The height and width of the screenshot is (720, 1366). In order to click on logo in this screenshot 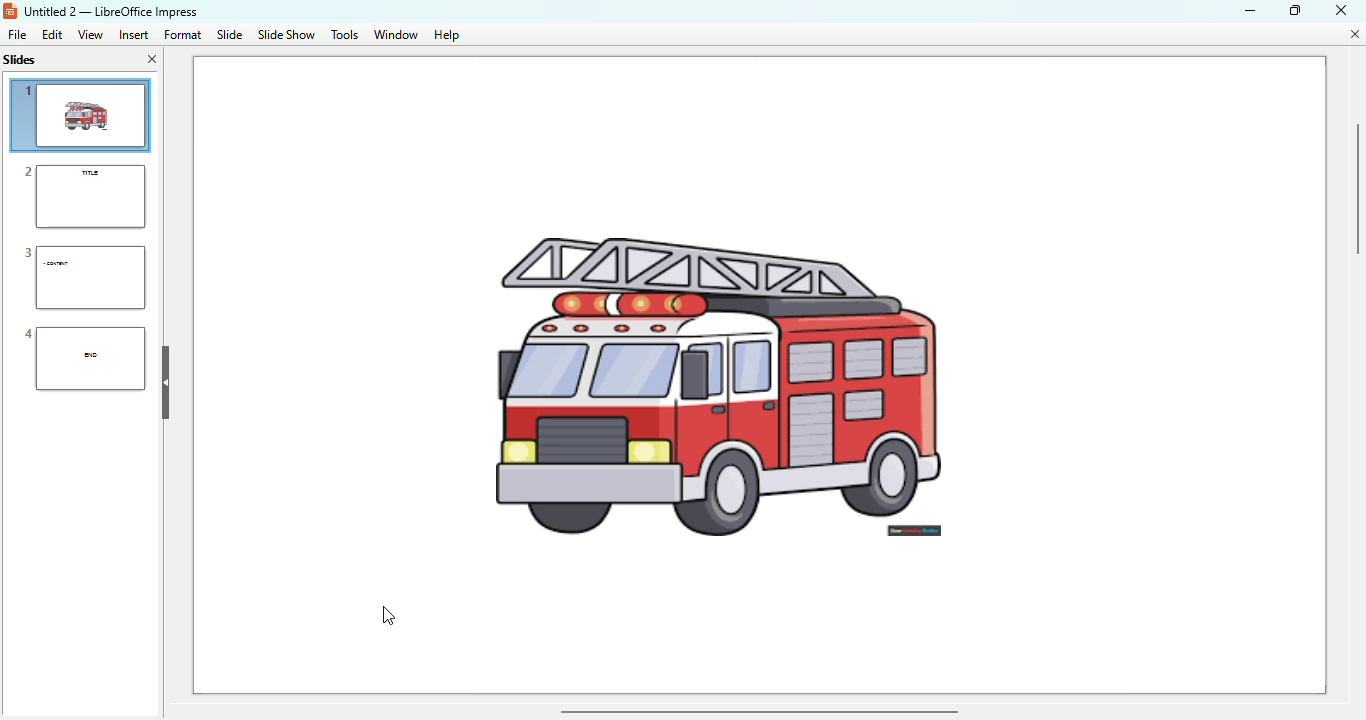, I will do `click(10, 11)`.